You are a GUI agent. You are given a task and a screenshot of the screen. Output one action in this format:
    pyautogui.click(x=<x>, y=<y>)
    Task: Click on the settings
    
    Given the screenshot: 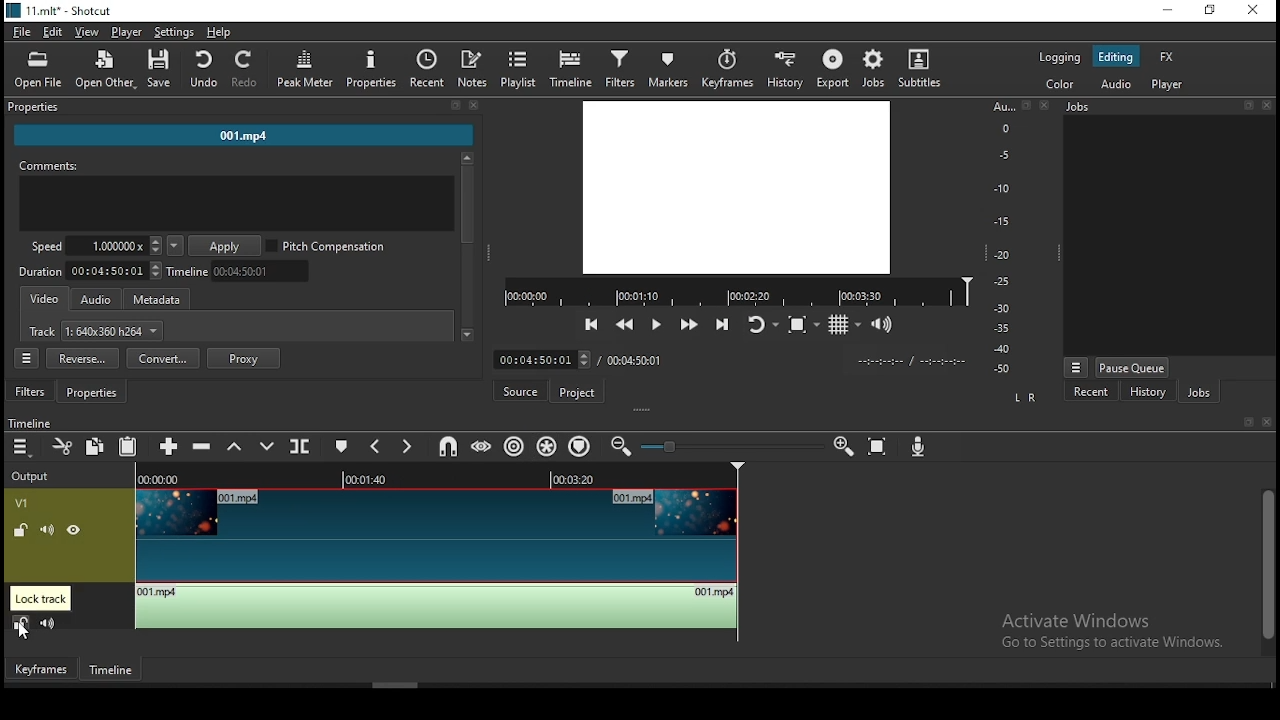 What is the action you would take?
    pyautogui.click(x=174, y=33)
    